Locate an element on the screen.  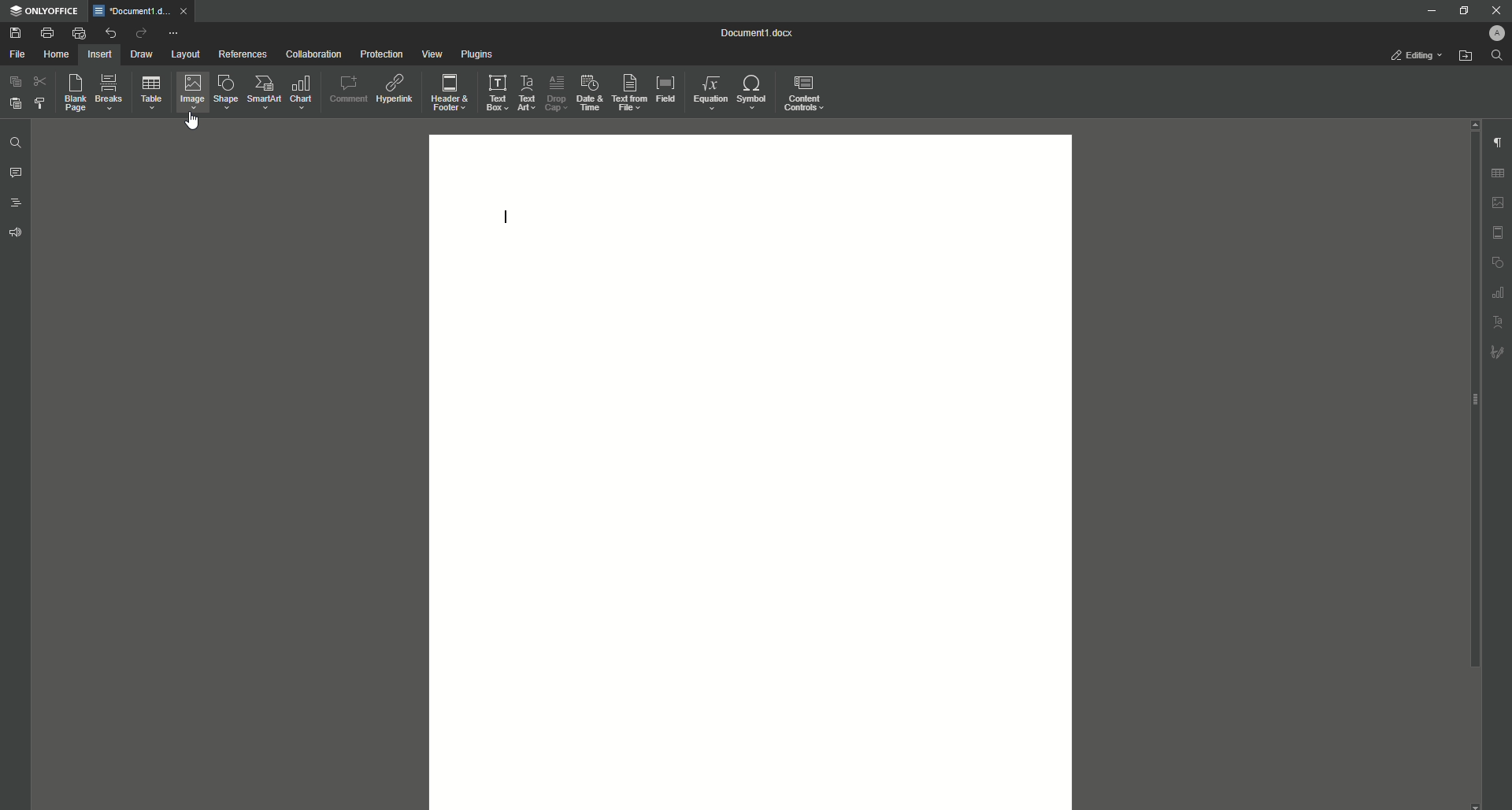
Save is located at coordinates (13, 33).